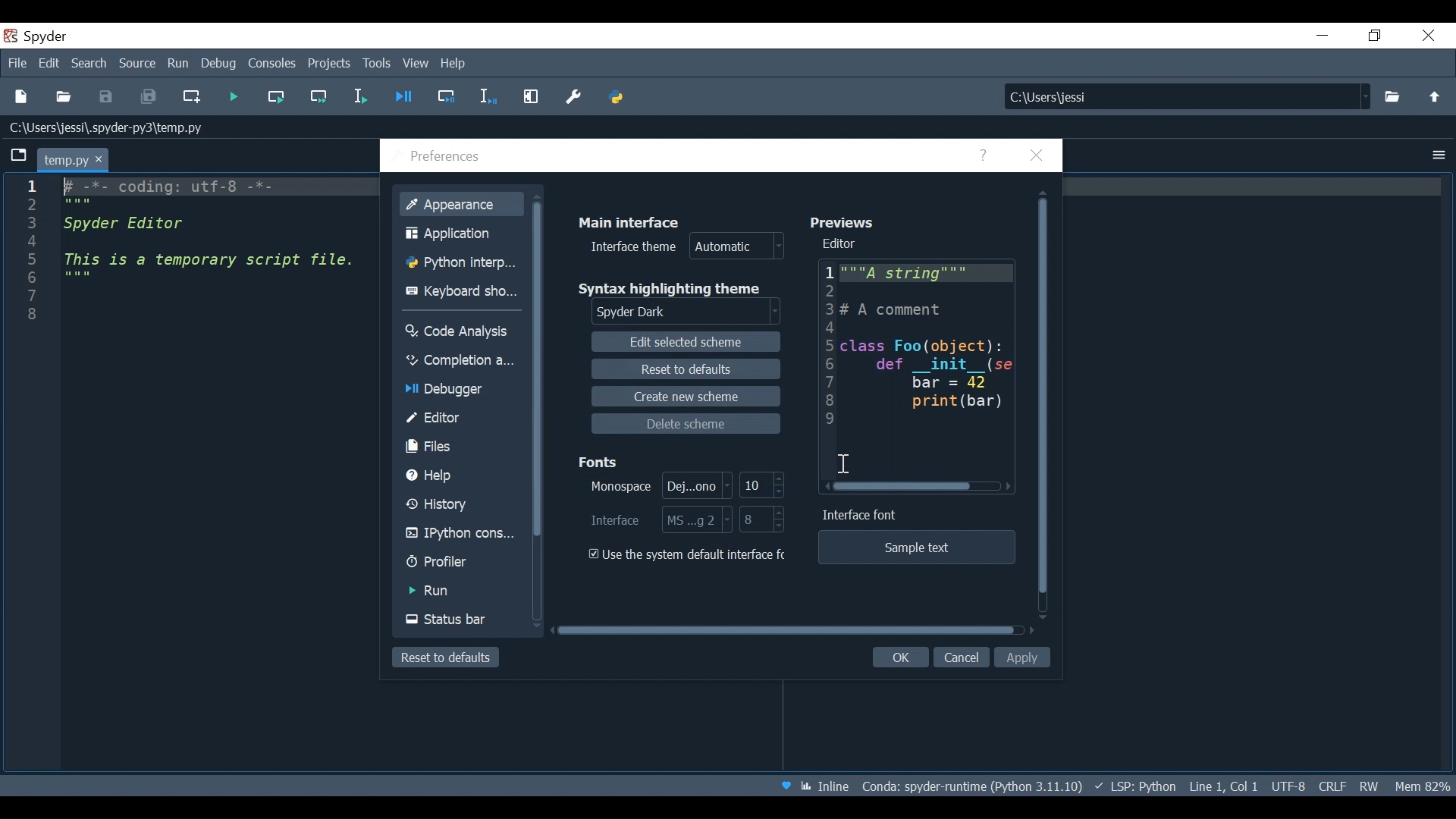 The image size is (1456, 819). I want to click on View, so click(417, 63).